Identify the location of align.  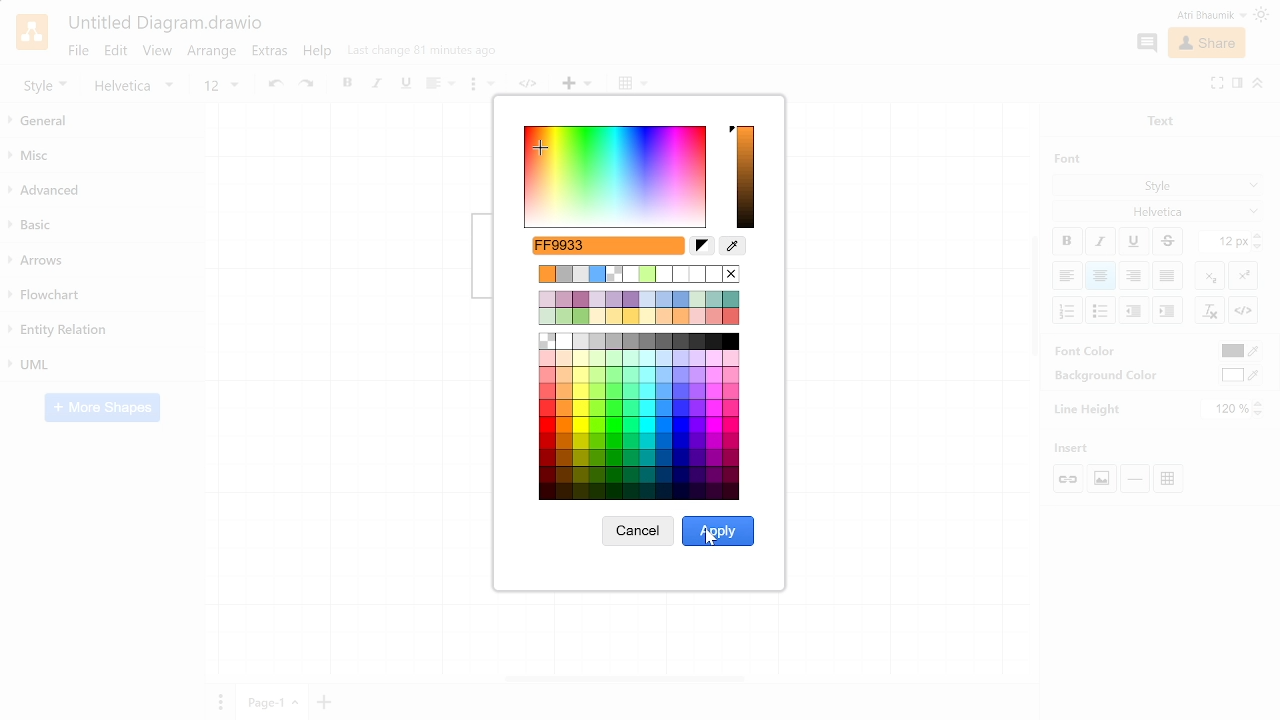
(438, 85).